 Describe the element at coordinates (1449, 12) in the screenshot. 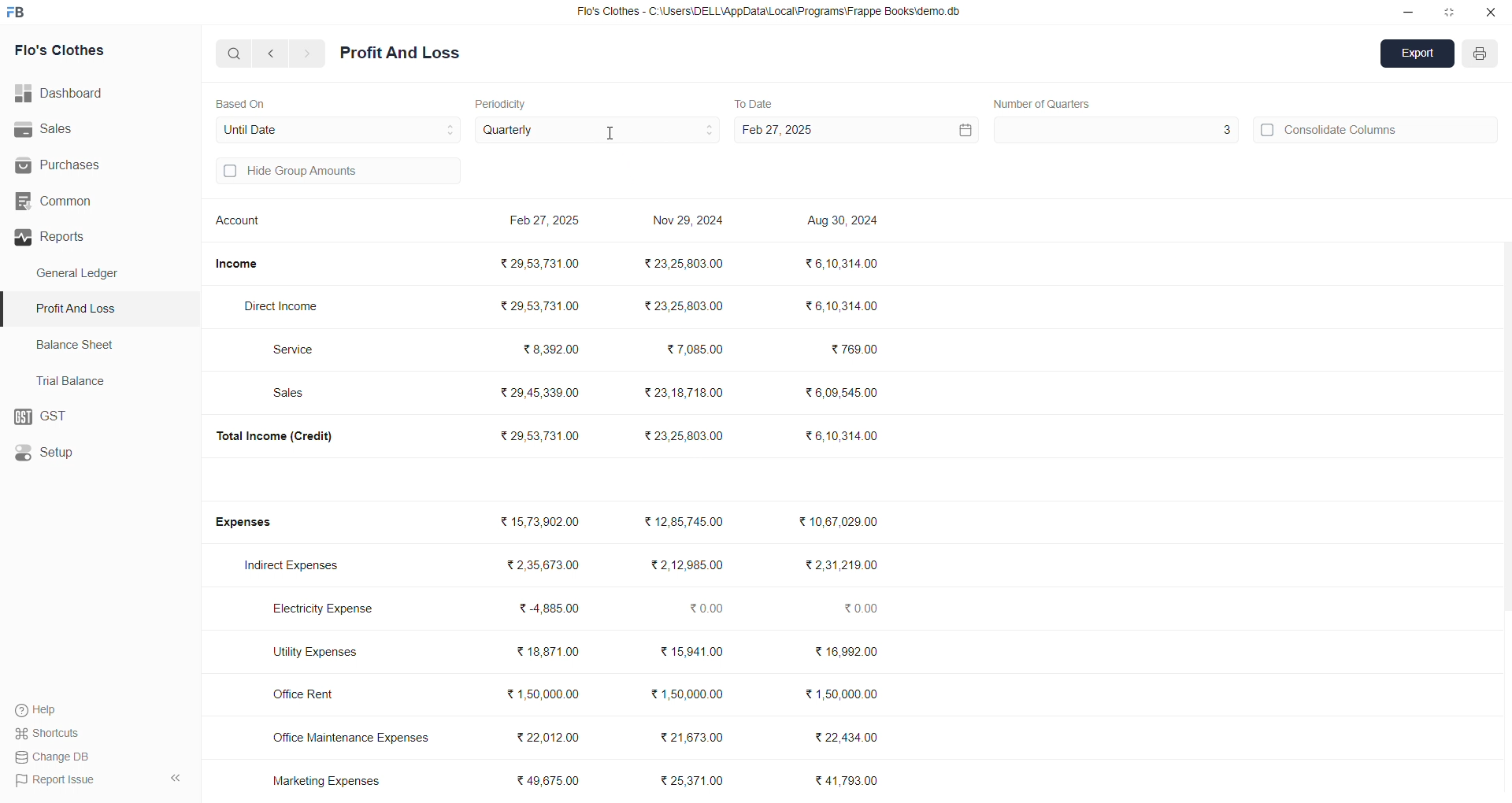

I see `resize` at that location.